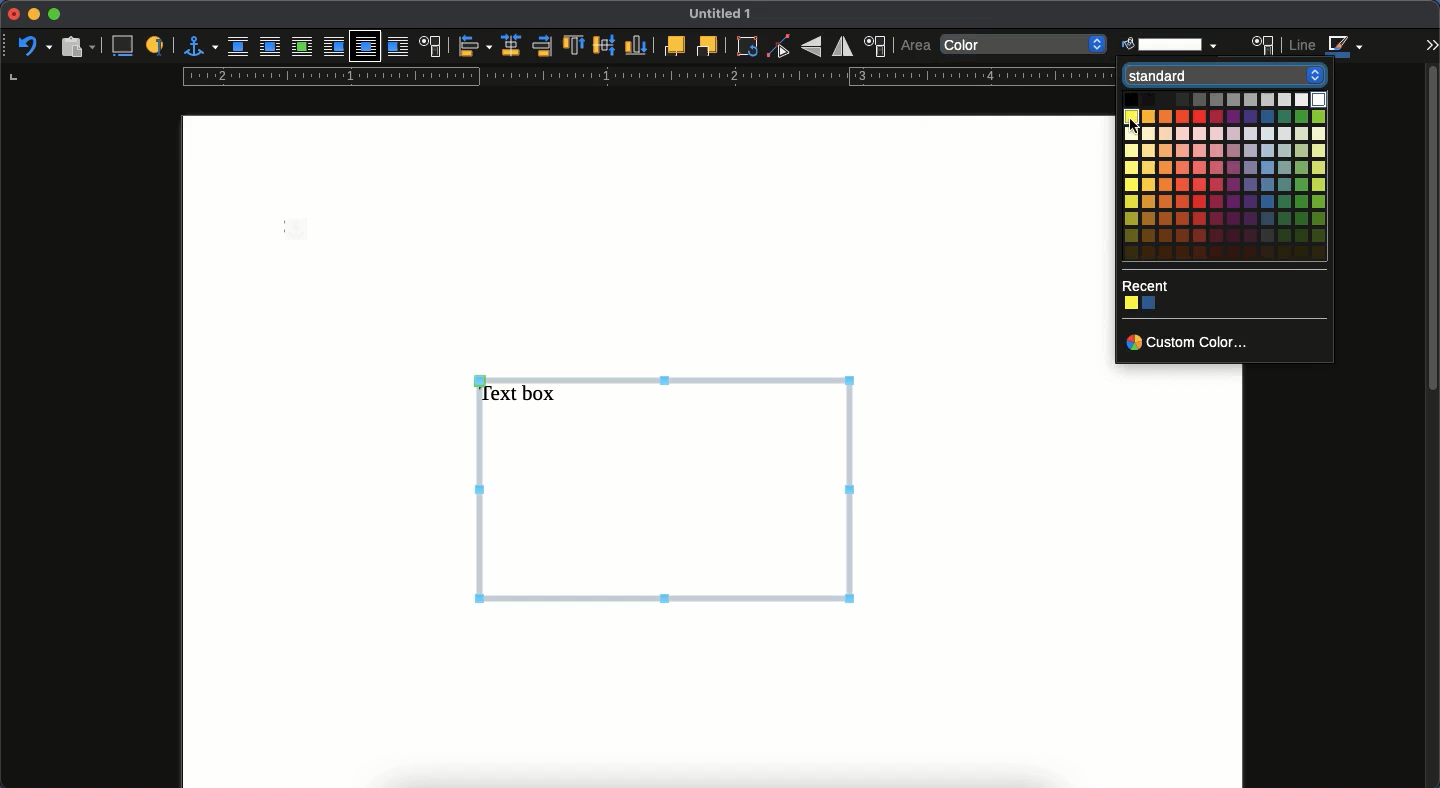  Describe the element at coordinates (509, 46) in the screenshot. I see `centered` at that location.